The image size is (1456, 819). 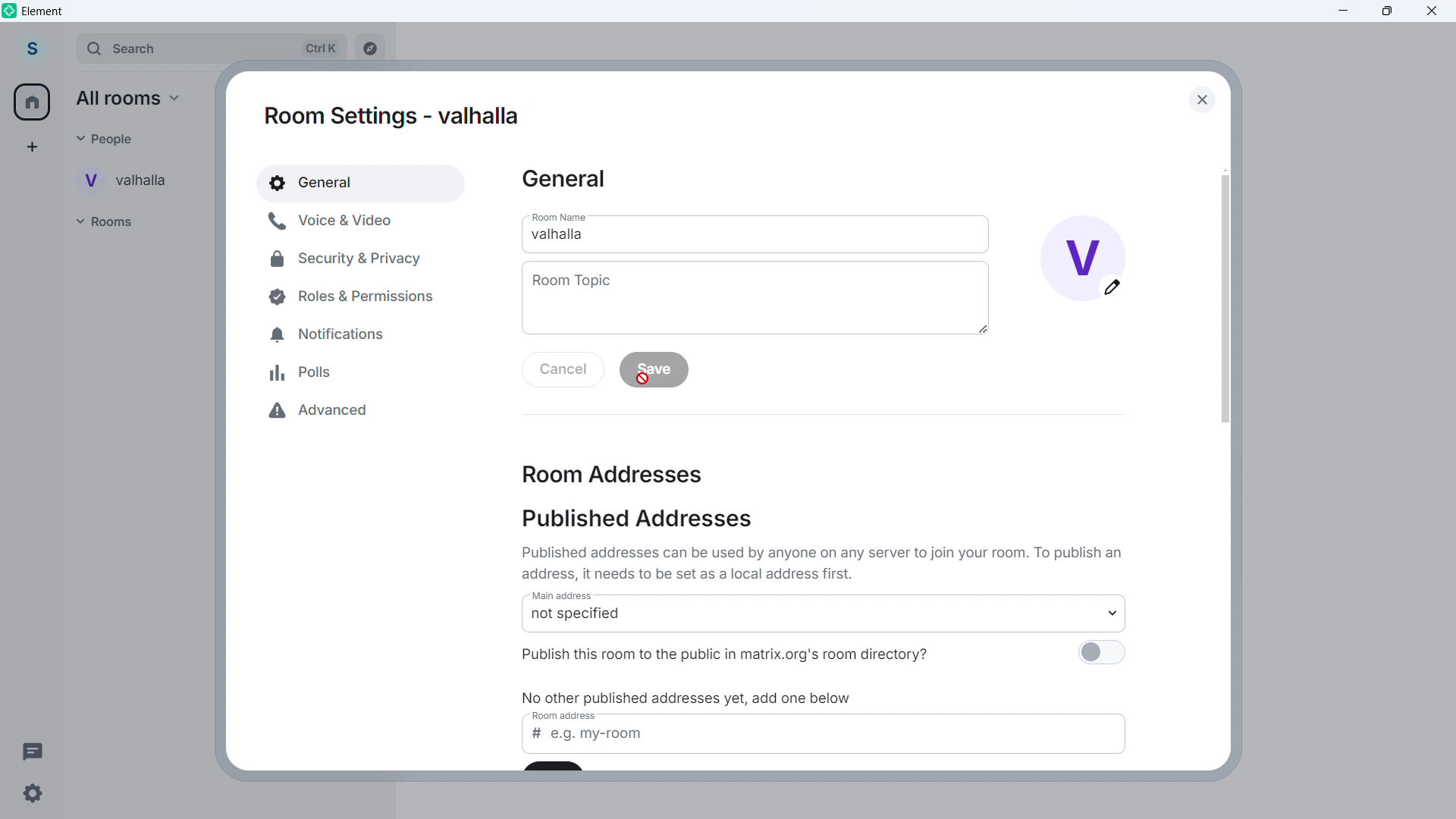 I want to click on name changed- valhalla, so click(x=478, y=117).